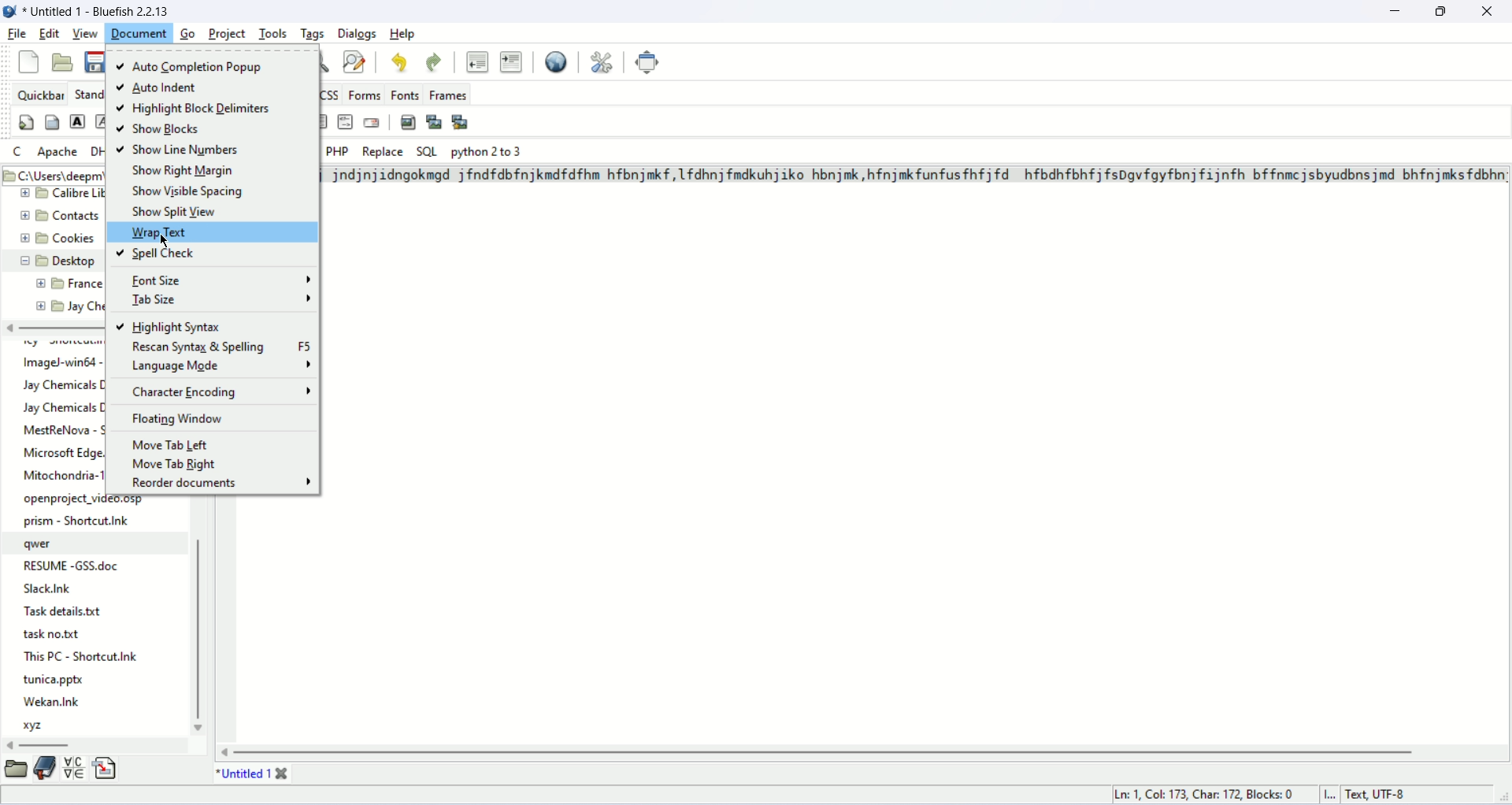 Image resolution: width=1512 pixels, height=805 pixels. What do you see at coordinates (47, 33) in the screenshot?
I see `edit` at bounding box center [47, 33].